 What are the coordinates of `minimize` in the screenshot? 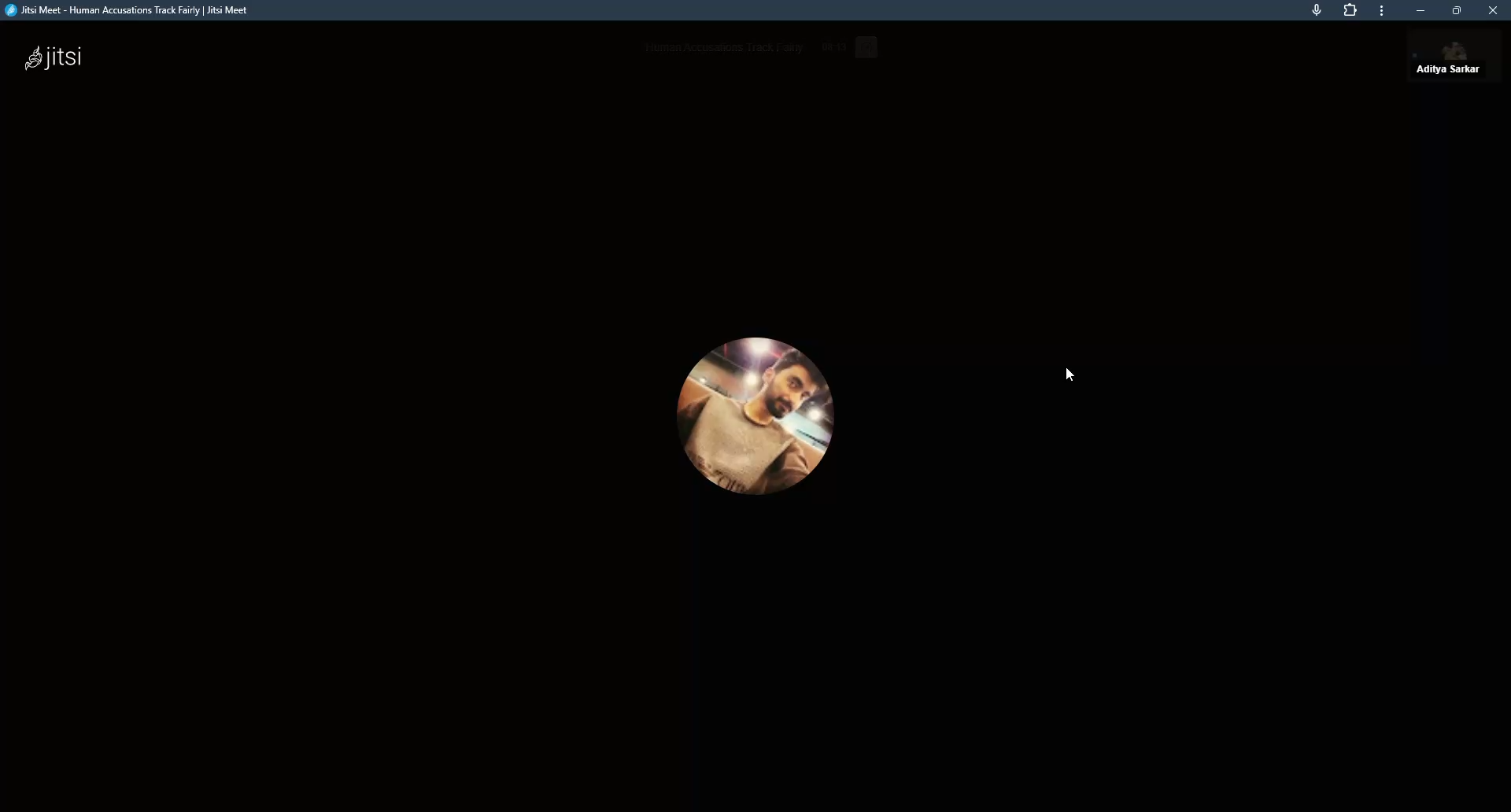 It's located at (1420, 10).